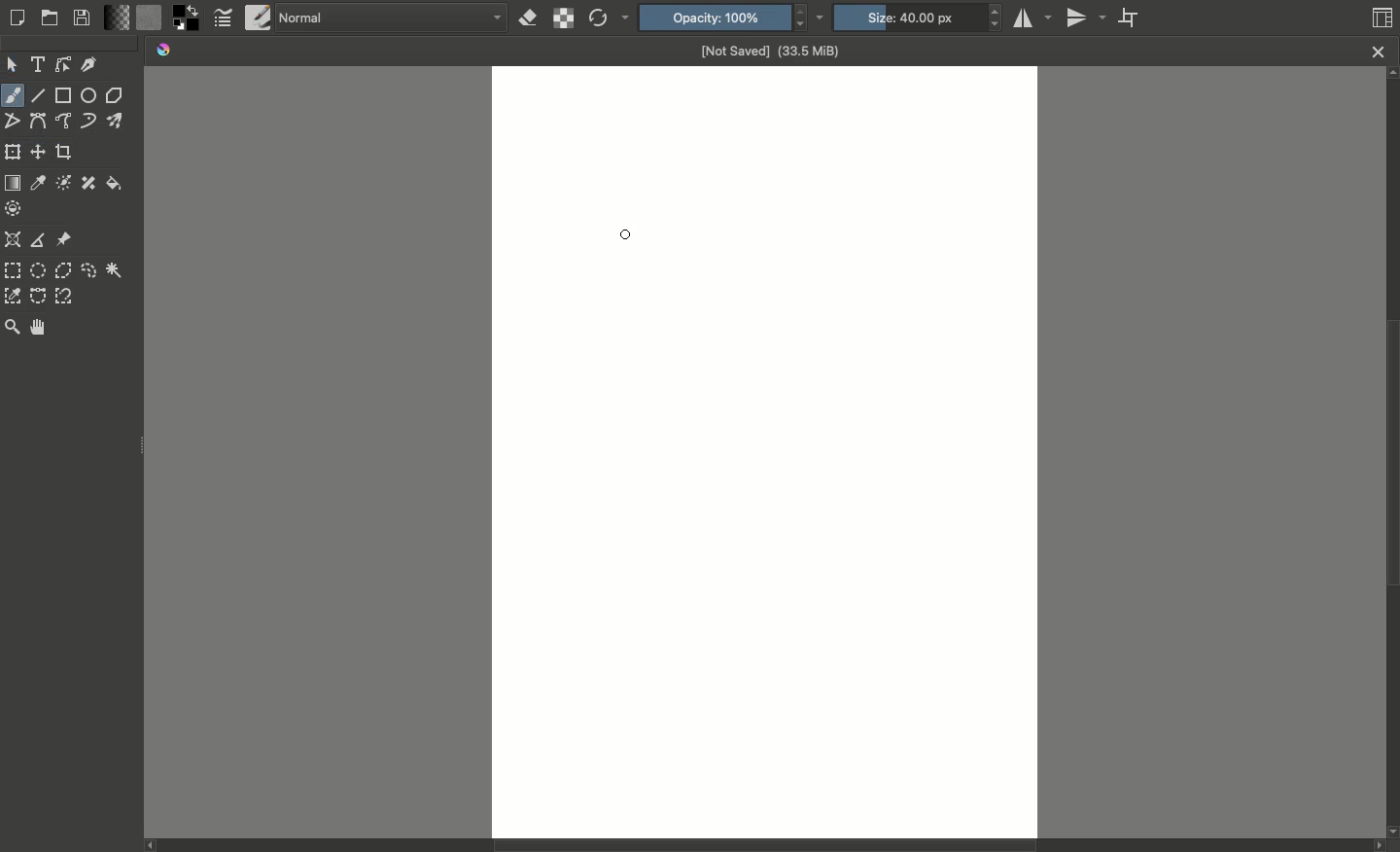 The height and width of the screenshot is (852, 1400). Describe the element at coordinates (751, 847) in the screenshot. I see `Status bar` at that location.